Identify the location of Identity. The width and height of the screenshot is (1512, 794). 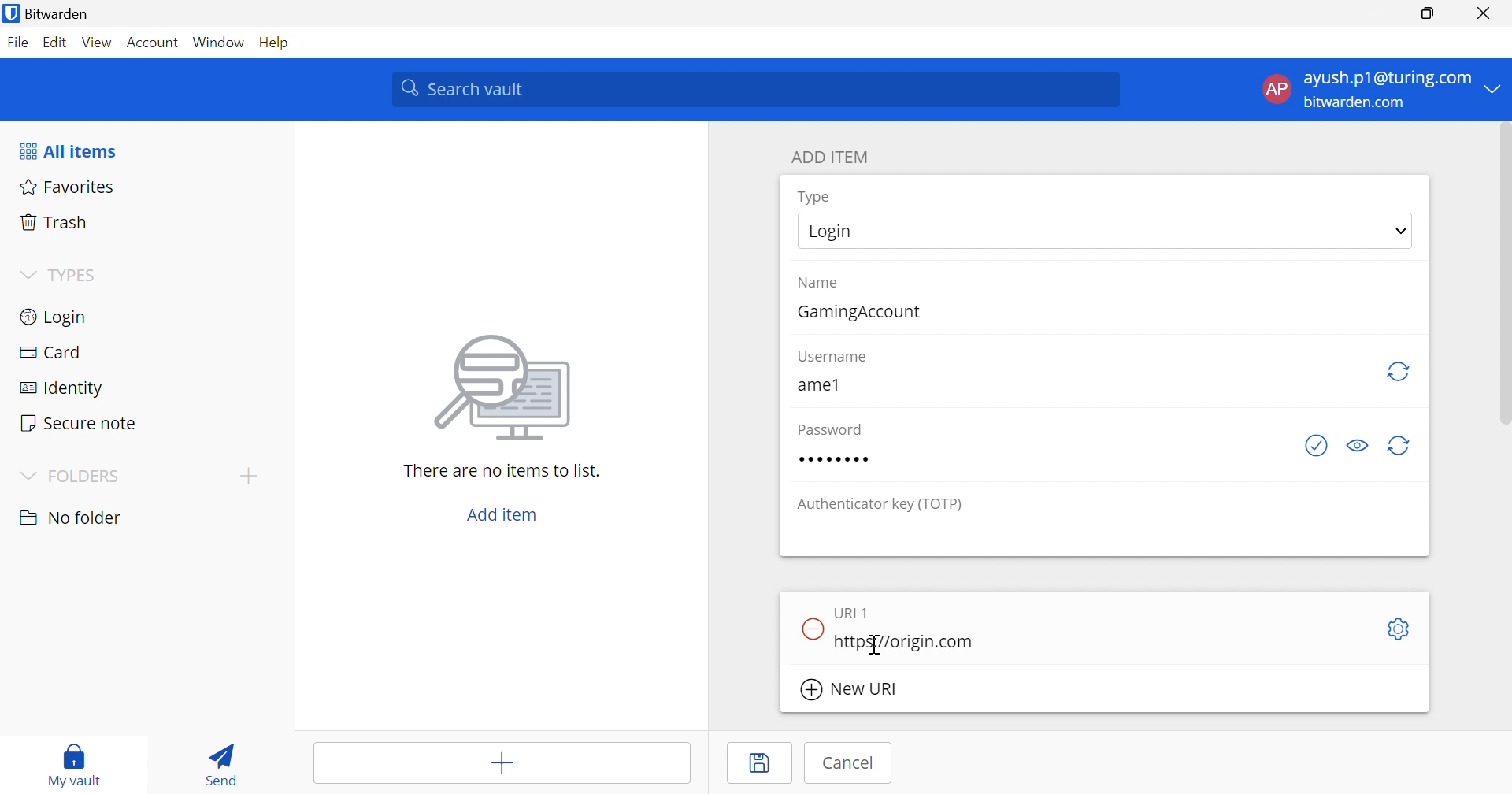
(63, 390).